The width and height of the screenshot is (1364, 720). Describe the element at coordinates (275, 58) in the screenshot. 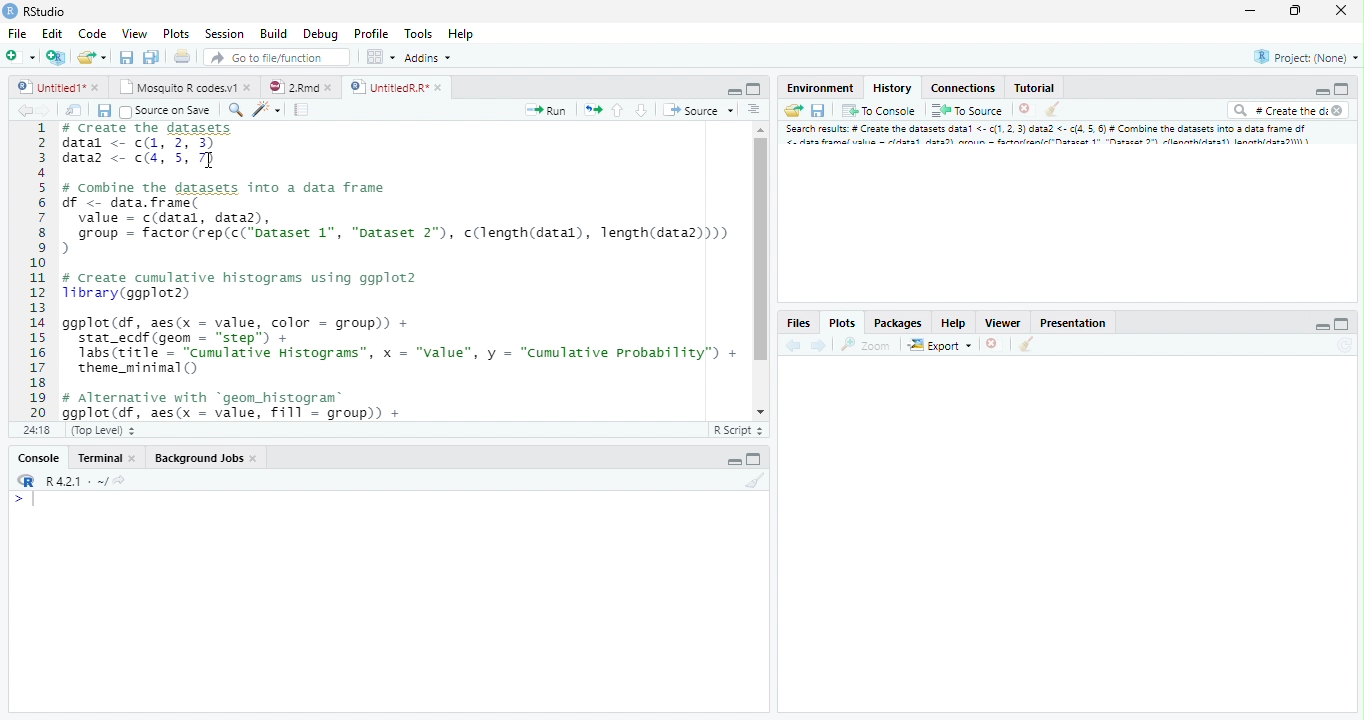

I see `Go to file/function` at that location.